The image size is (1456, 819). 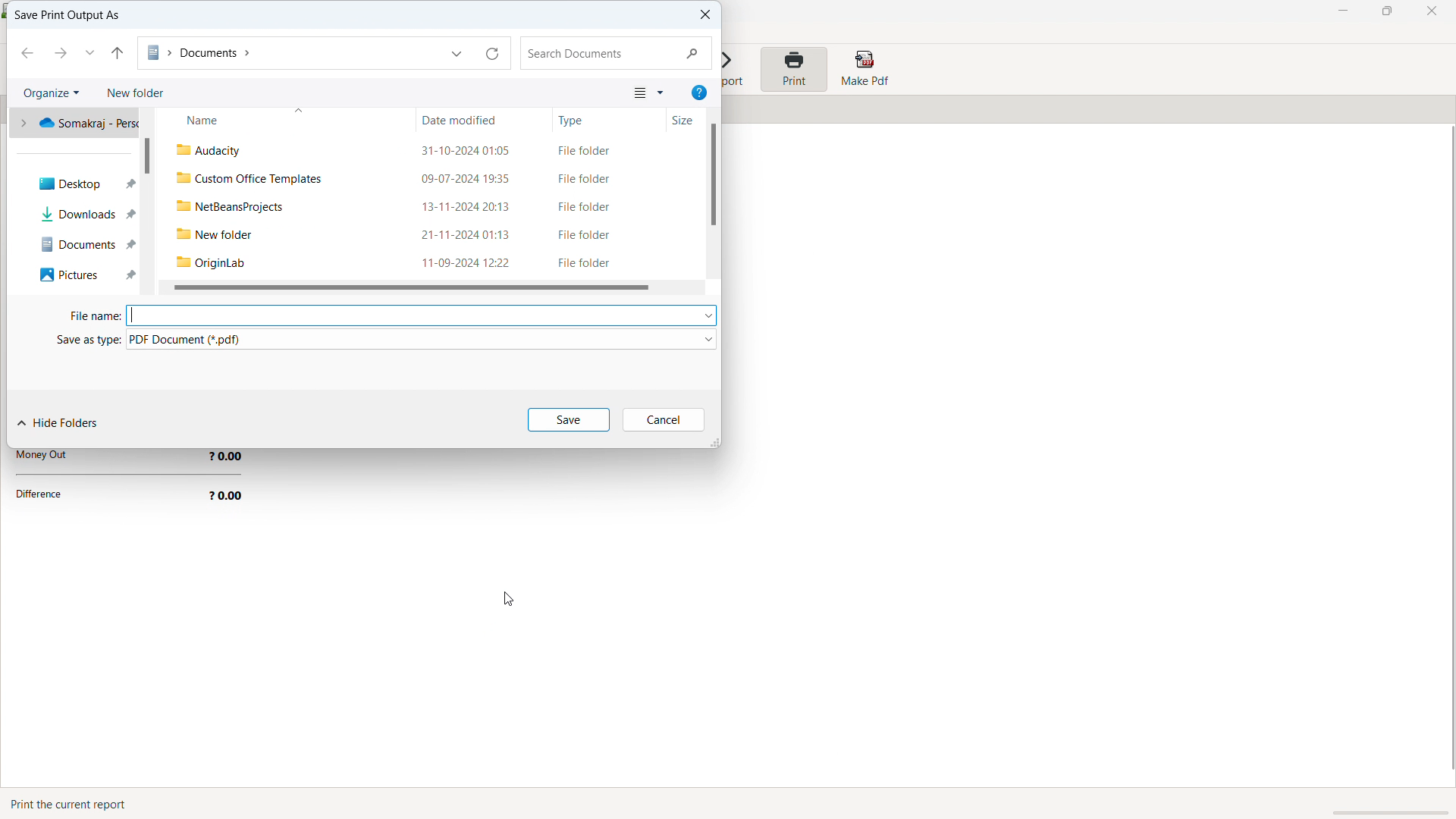 What do you see at coordinates (568, 419) in the screenshot?
I see `save` at bounding box center [568, 419].